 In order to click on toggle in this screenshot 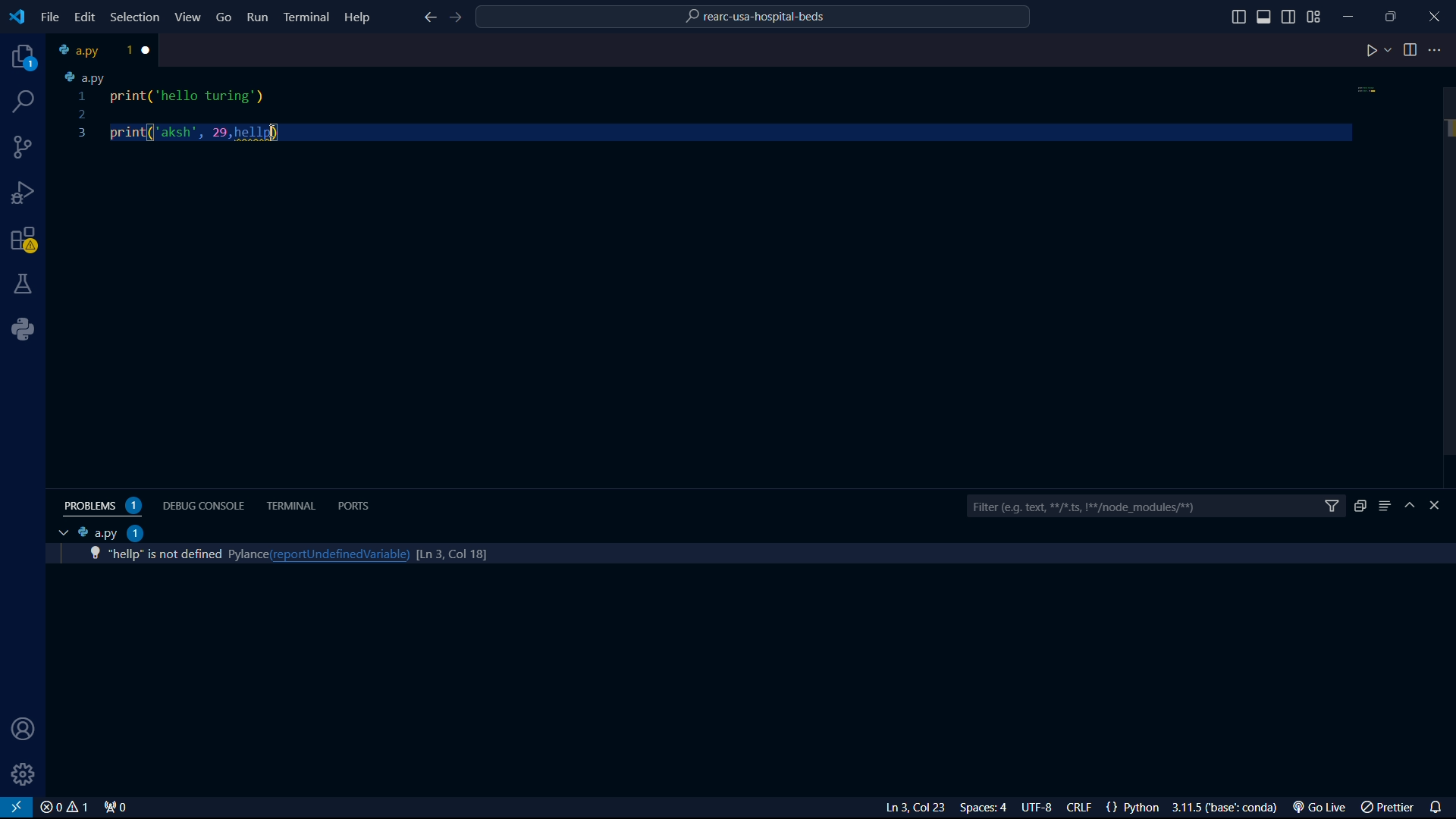, I will do `click(1410, 50)`.